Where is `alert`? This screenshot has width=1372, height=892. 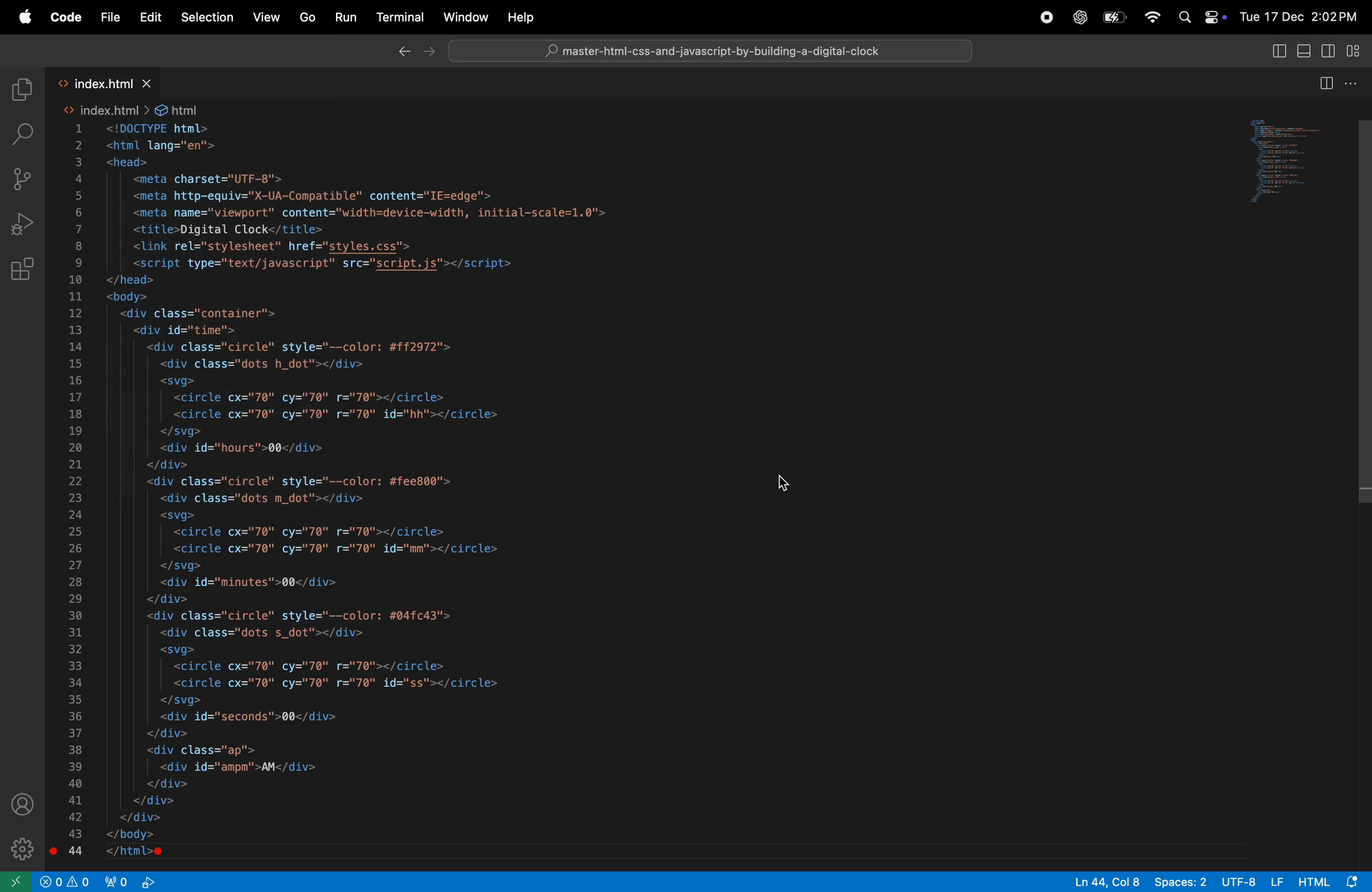 alert is located at coordinates (81, 880).